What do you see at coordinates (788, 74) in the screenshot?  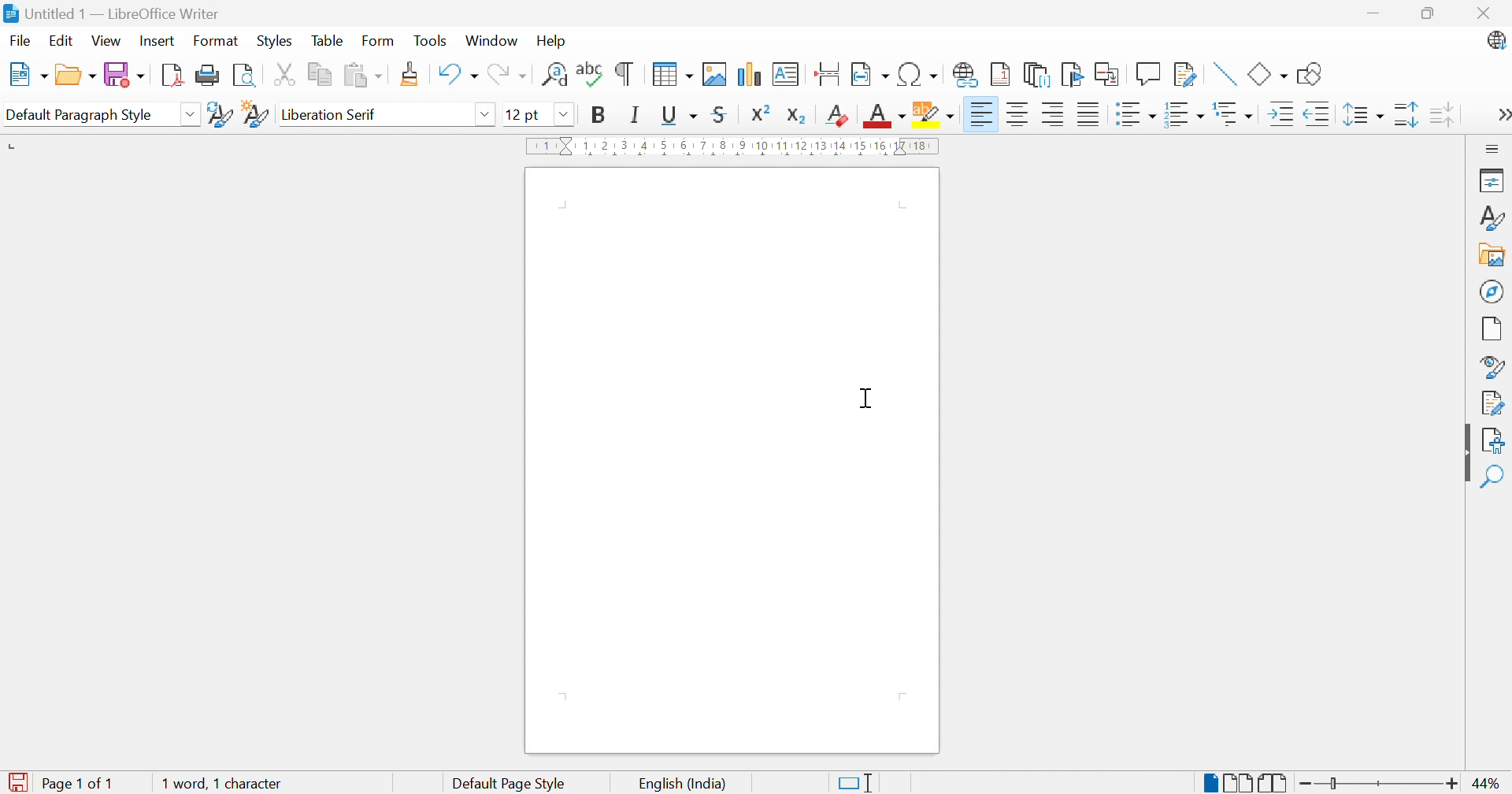 I see `Insert text box` at bounding box center [788, 74].